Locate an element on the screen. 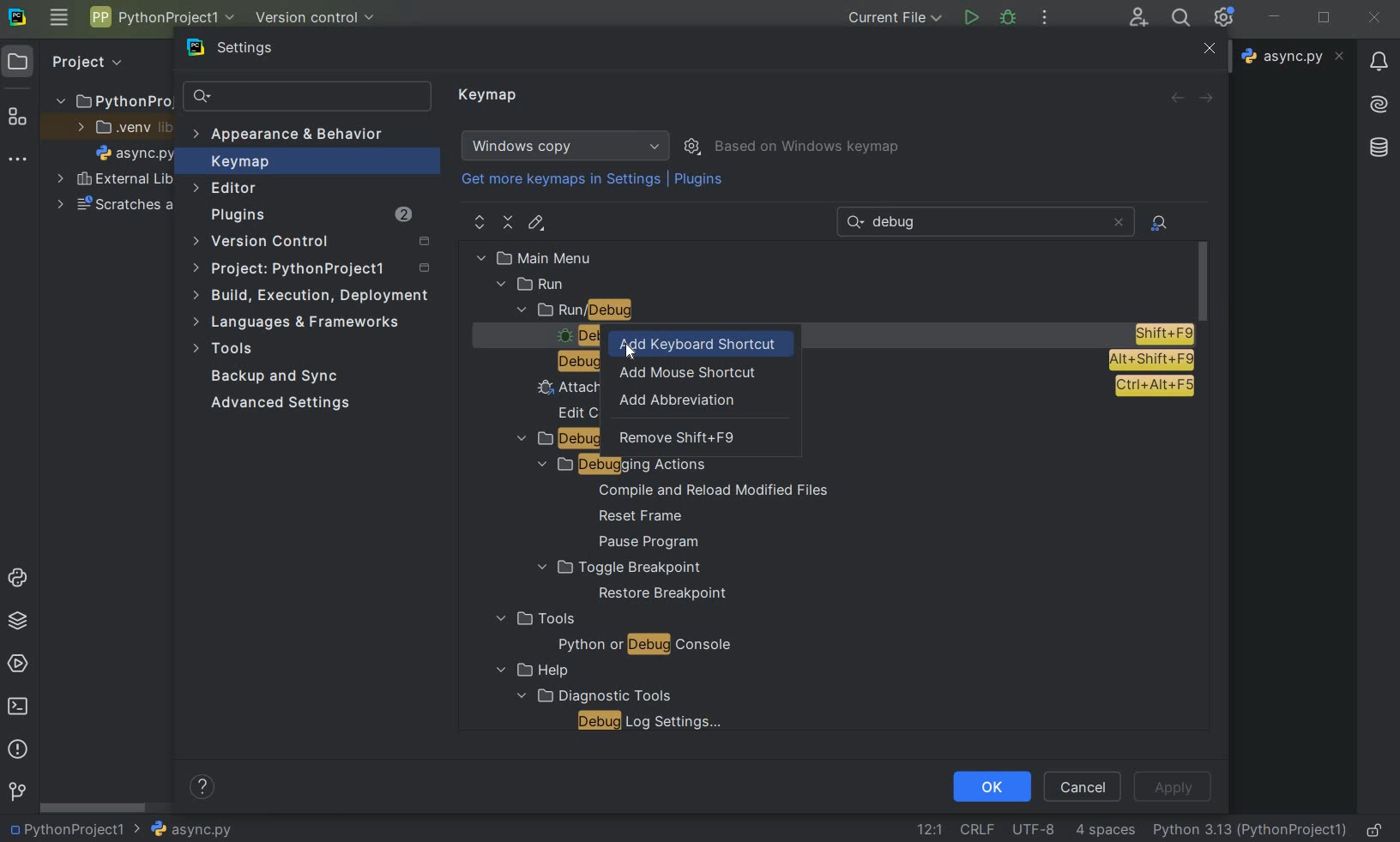 The height and width of the screenshot is (842, 1400). debug is located at coordinates (571, 335).